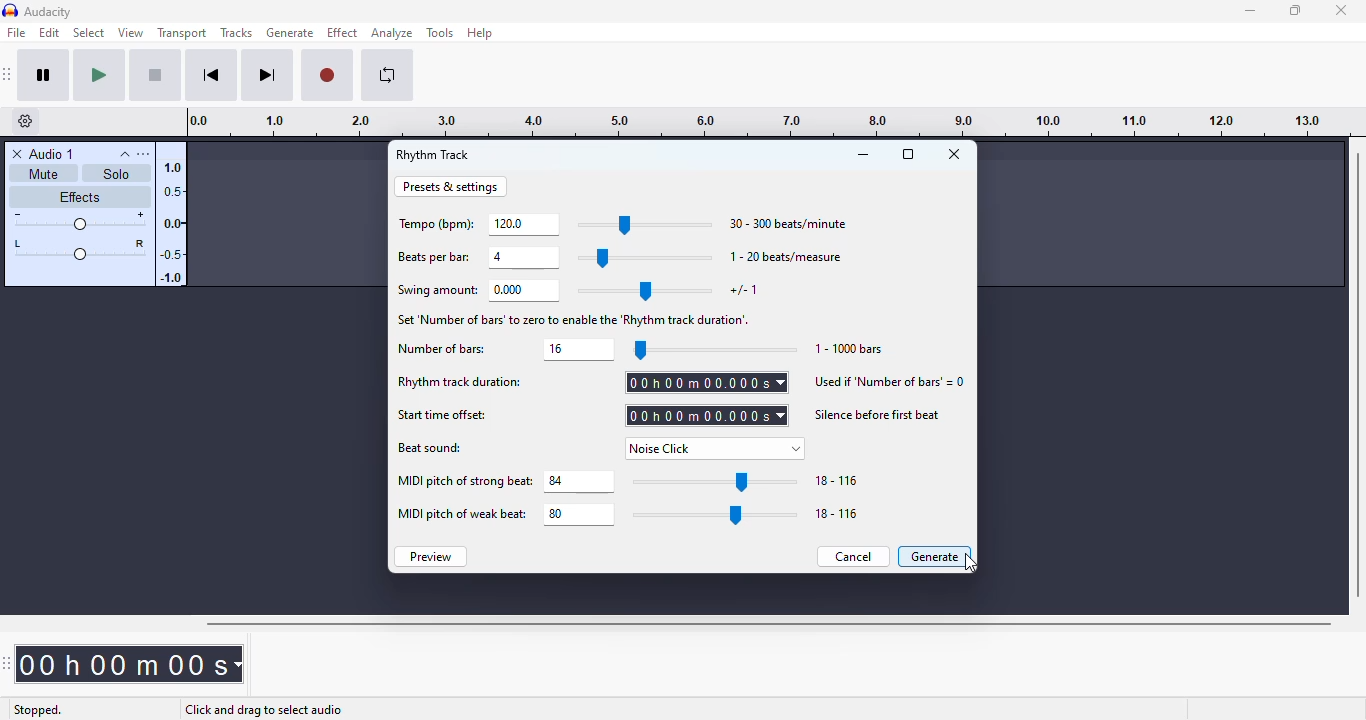 Image resolution: width=1366 pixels, height=720 pixels. What do you see at coordinates (712, 349) in the screenshot?
I see `slider` at bounding box center [712, 349].